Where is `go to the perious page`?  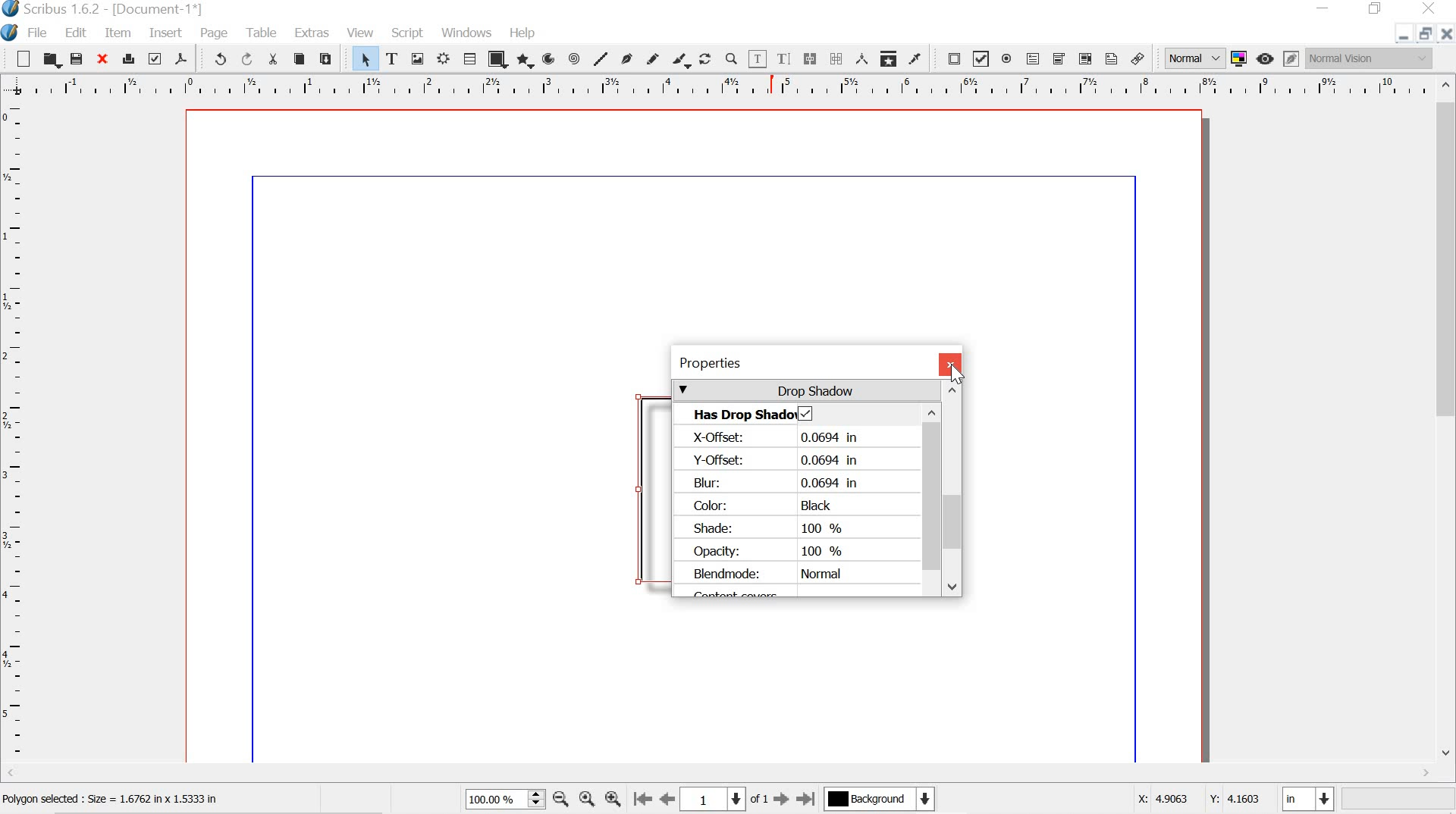
go to the perious page is located at coordinates (670, 800).